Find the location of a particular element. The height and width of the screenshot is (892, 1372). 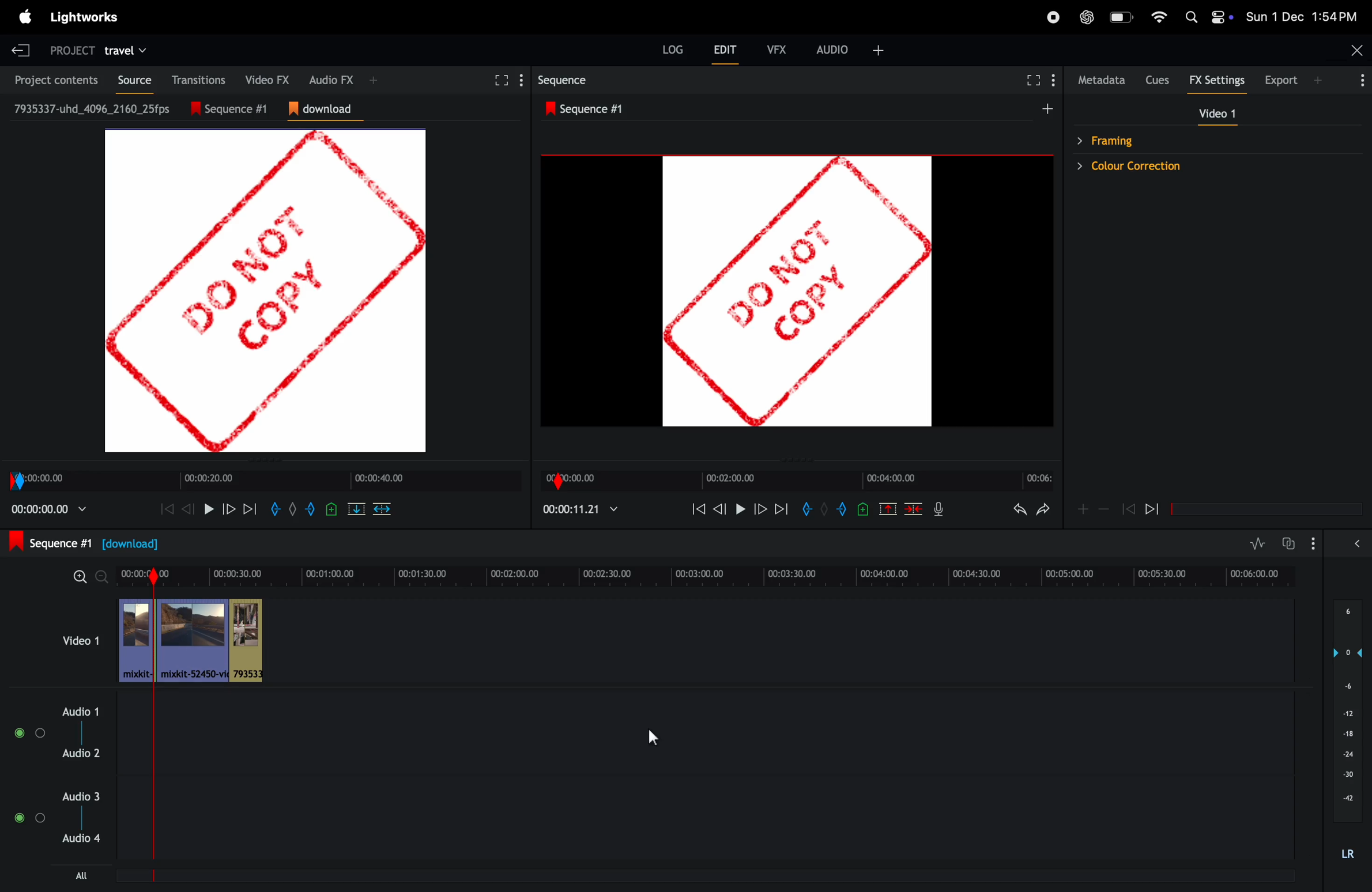

Zoom out is located at coordinates (101, 577).